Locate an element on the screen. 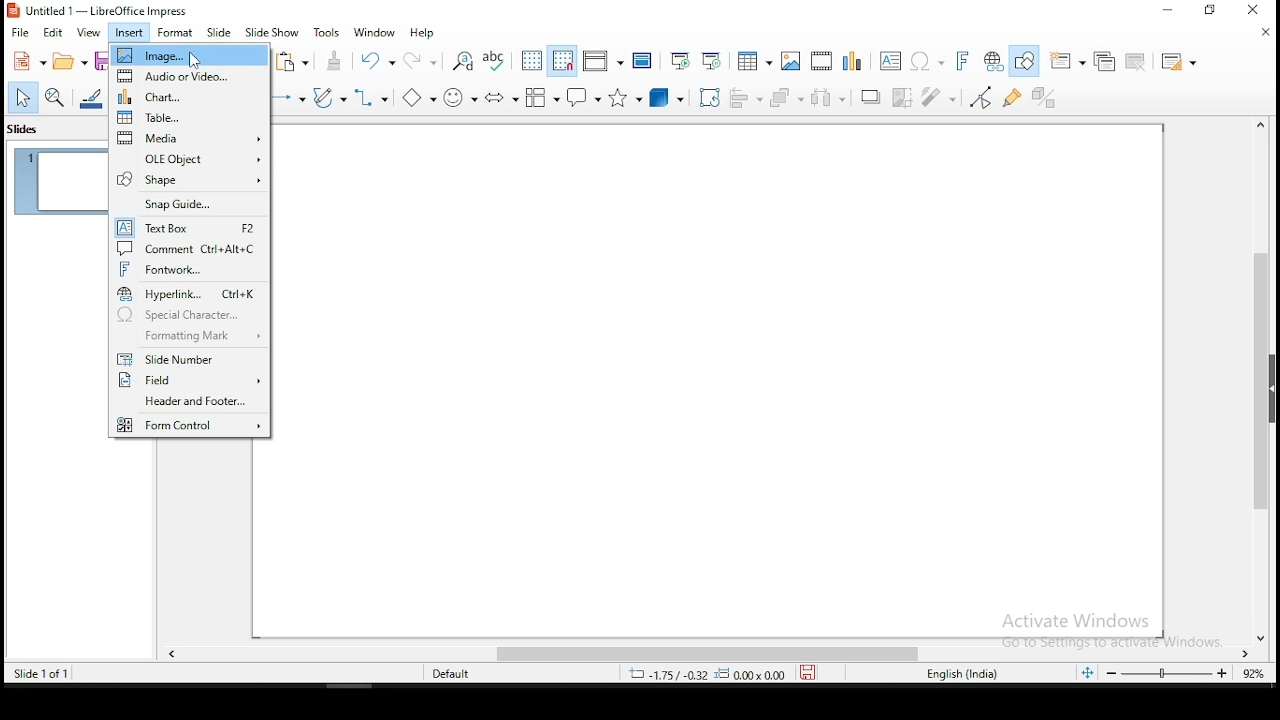 The image size is (1280, 720). zoom and pan is located at coordinates (56, 98).